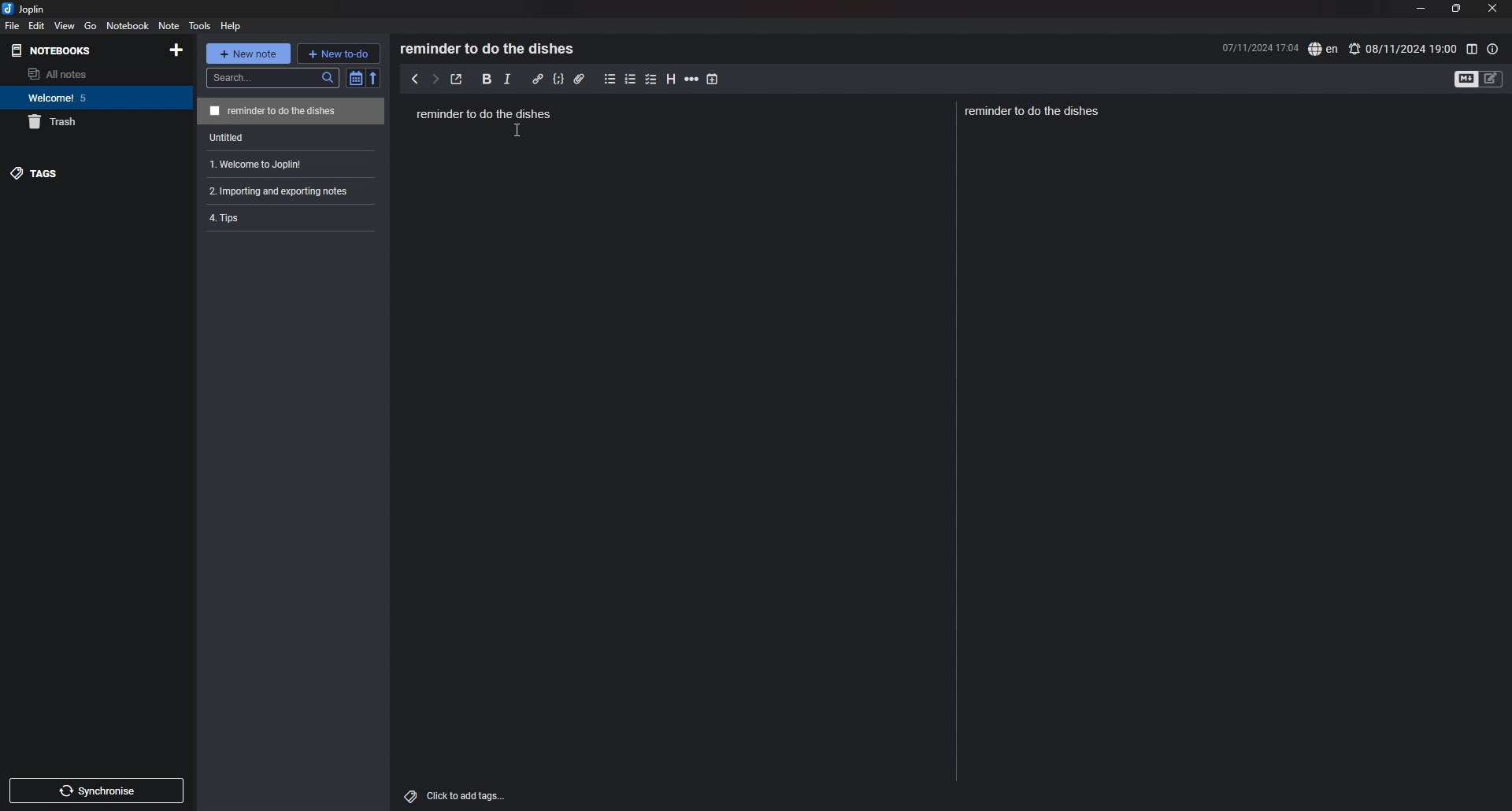  What do you see at coordinates (65, 26) in the screenshot?
I see `view` at bounding box center [65, 26].